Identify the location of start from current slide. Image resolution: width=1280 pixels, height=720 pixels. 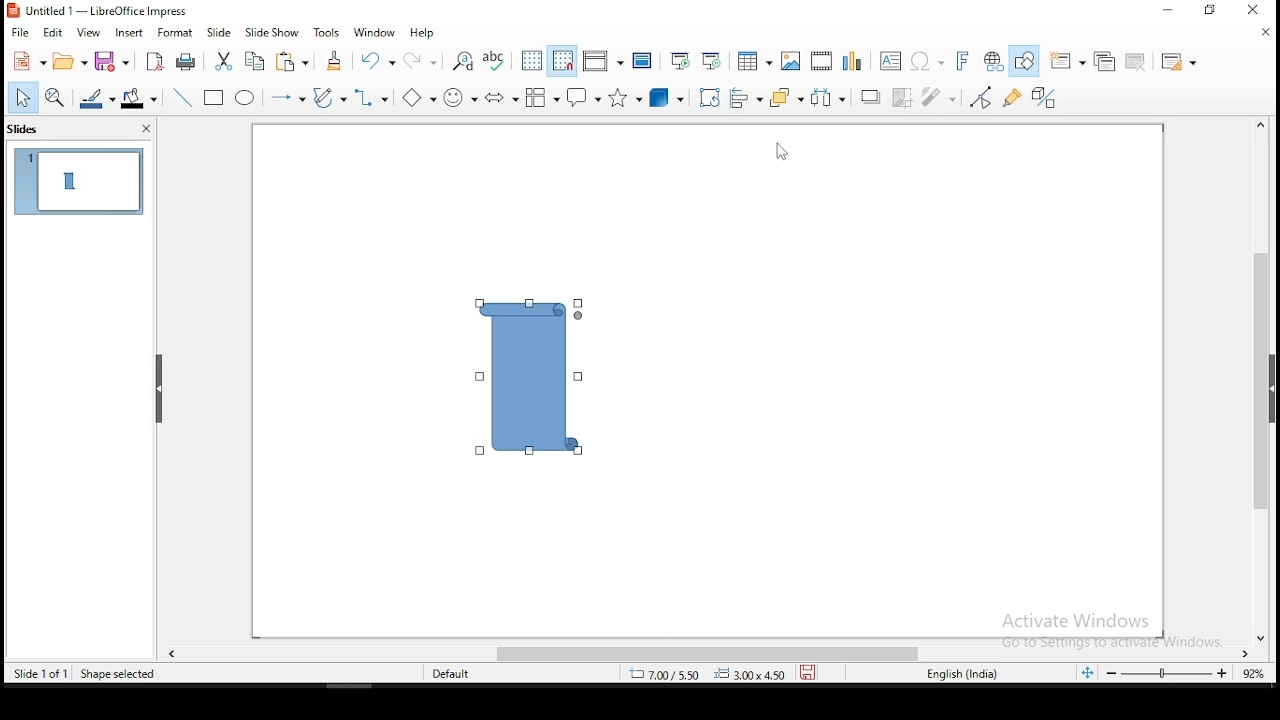
(714, 59).